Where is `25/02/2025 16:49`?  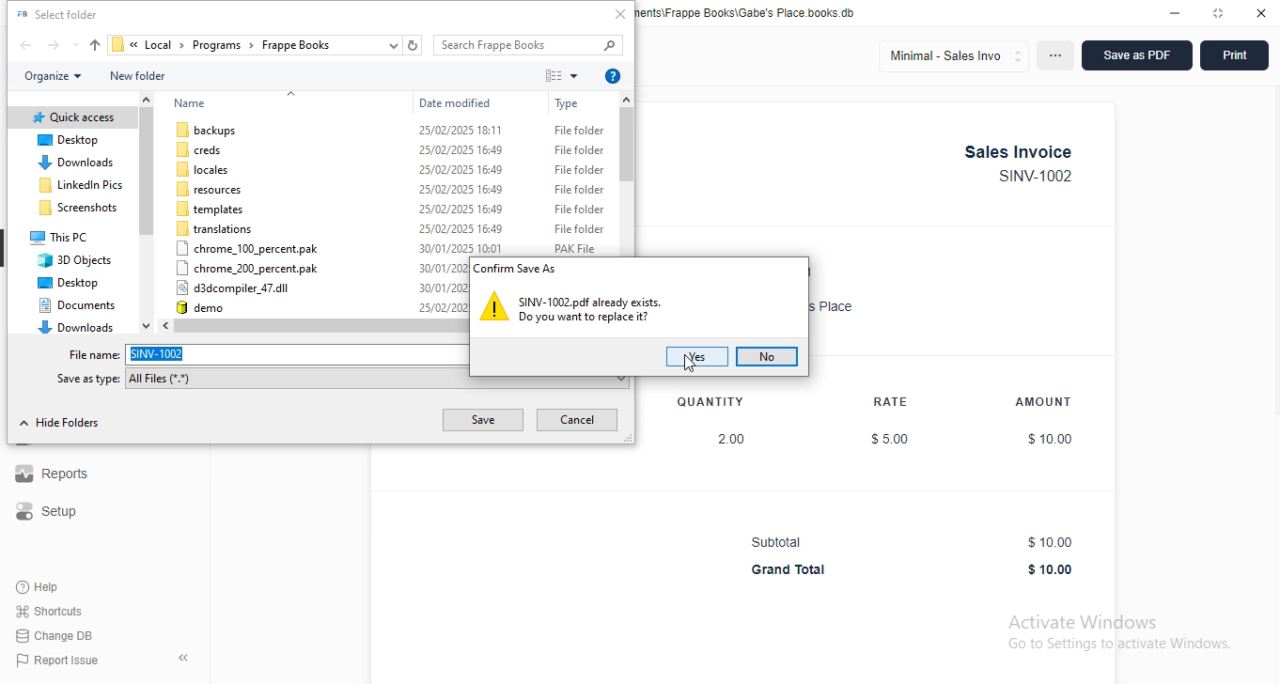
25/02/2025 16:49 is located at coordinates (461, 209).